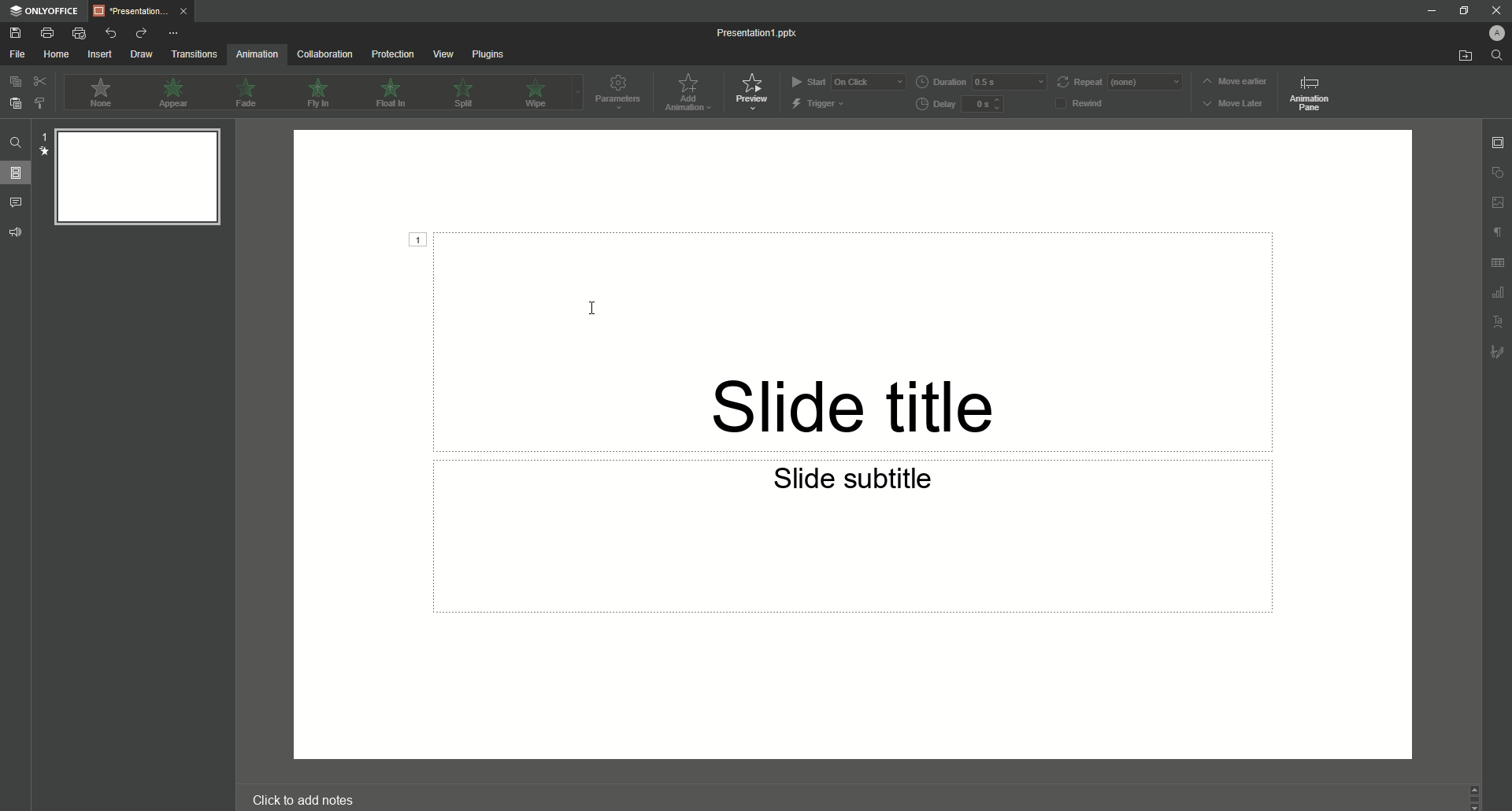 The height and width of the screenshot is (811, 1512). What do you see at coordinates (17, 203) in the screenshot?
I see `Comments` at bounding box center [17, 203].